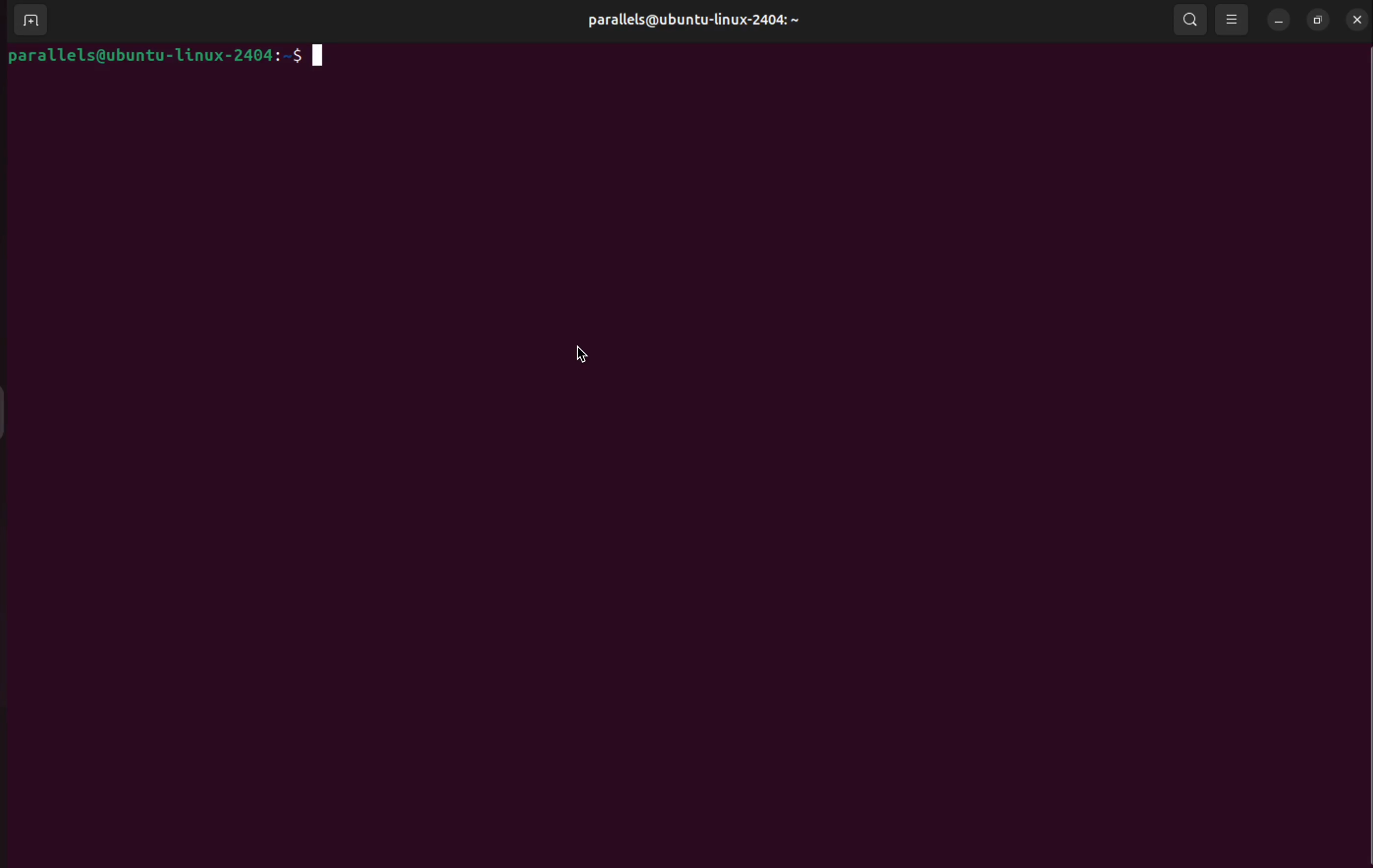 This screenshot has height=868, width=1373. I want to click on parallels@ubuntu-linux-2404: ~, so click(691, 20).